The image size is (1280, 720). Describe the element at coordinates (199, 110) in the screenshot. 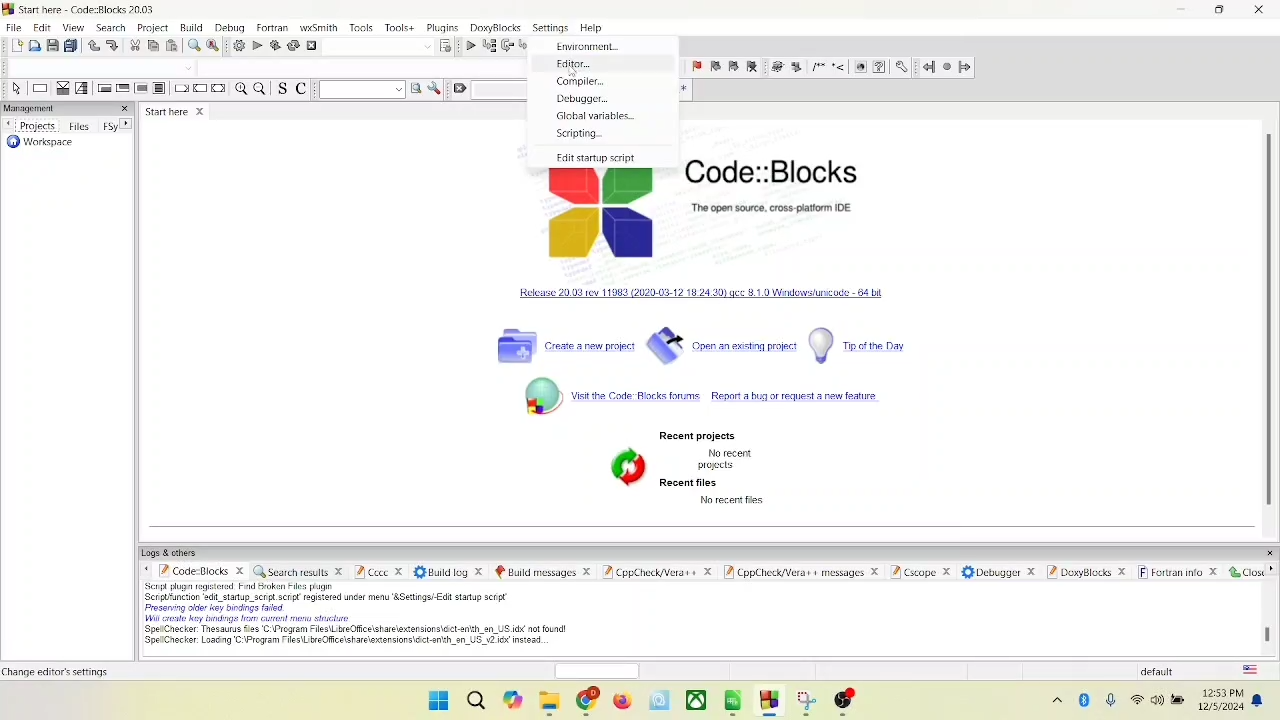

I see `close` at that location.